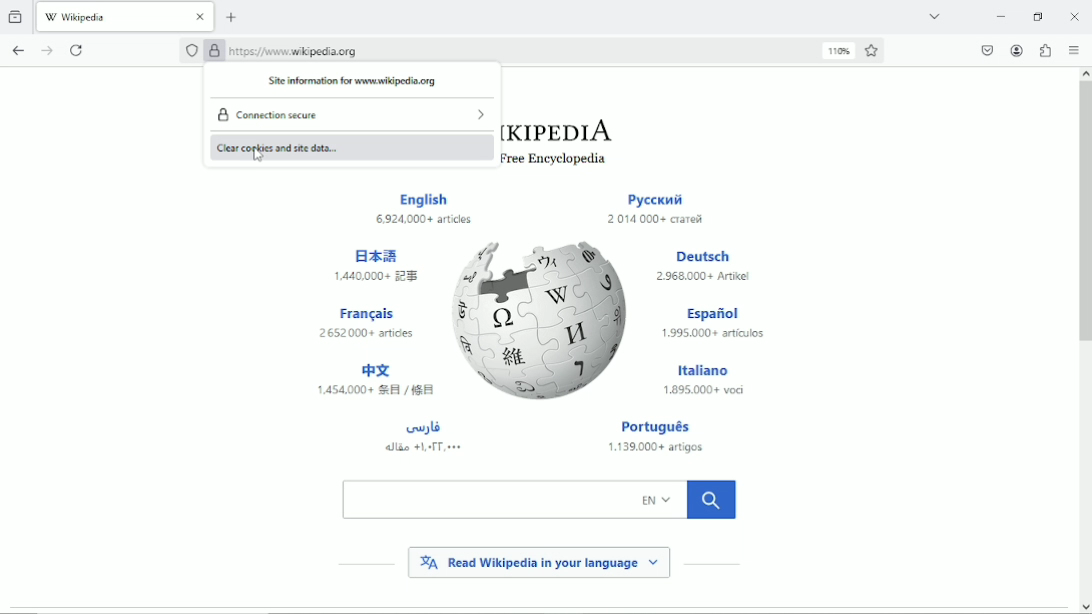  I want to click on Verified by DigiCert Inc, so click(215, 53).